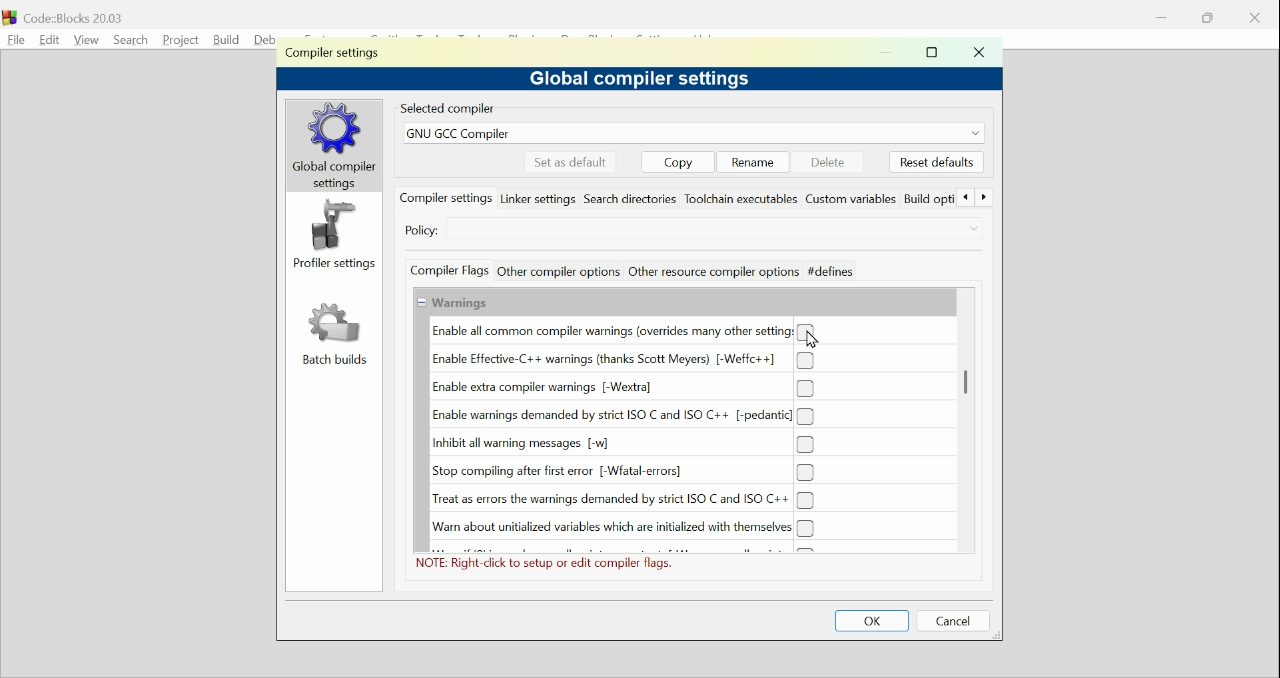  What do you see at coordinates (618, 528) in the screenshot?
I see `(un)check Warn about initialized variables which are initialized with themselves` at bounding box center [618, 528].